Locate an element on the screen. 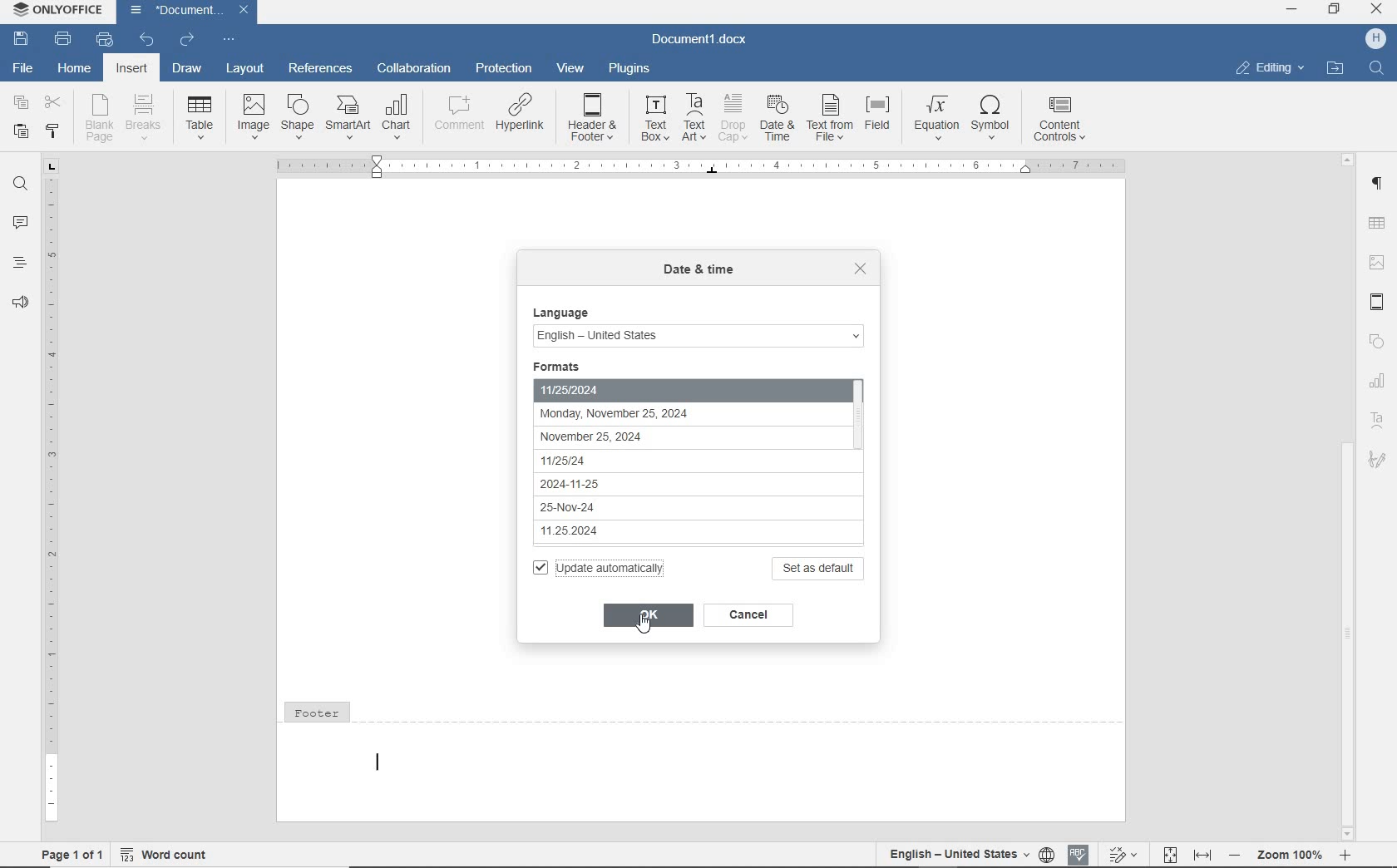 This screenshot has height=868, width=1397. zoom in is located at coordinates (1347, 856).